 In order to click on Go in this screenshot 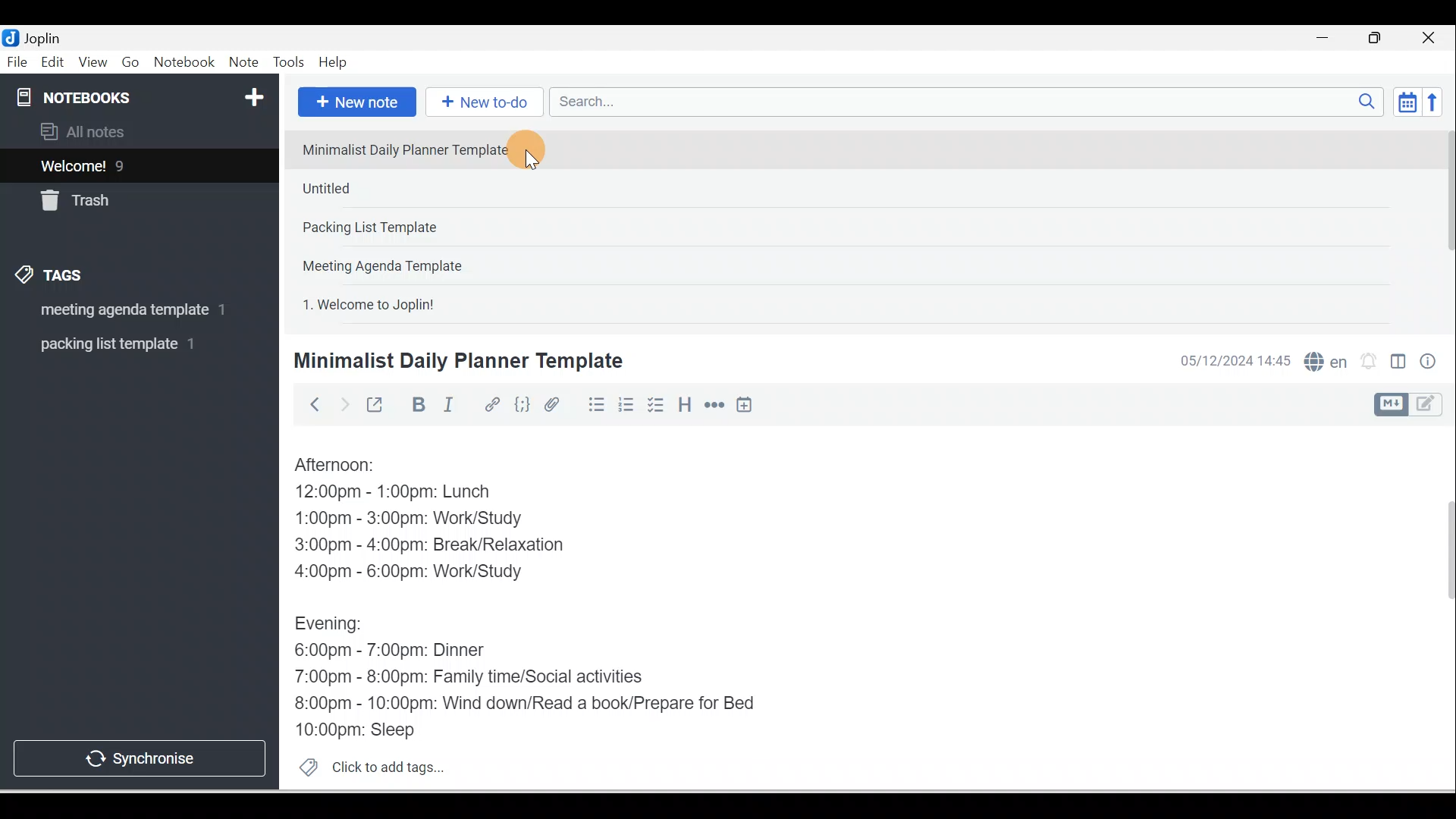, I will do `click(133, 63)`.